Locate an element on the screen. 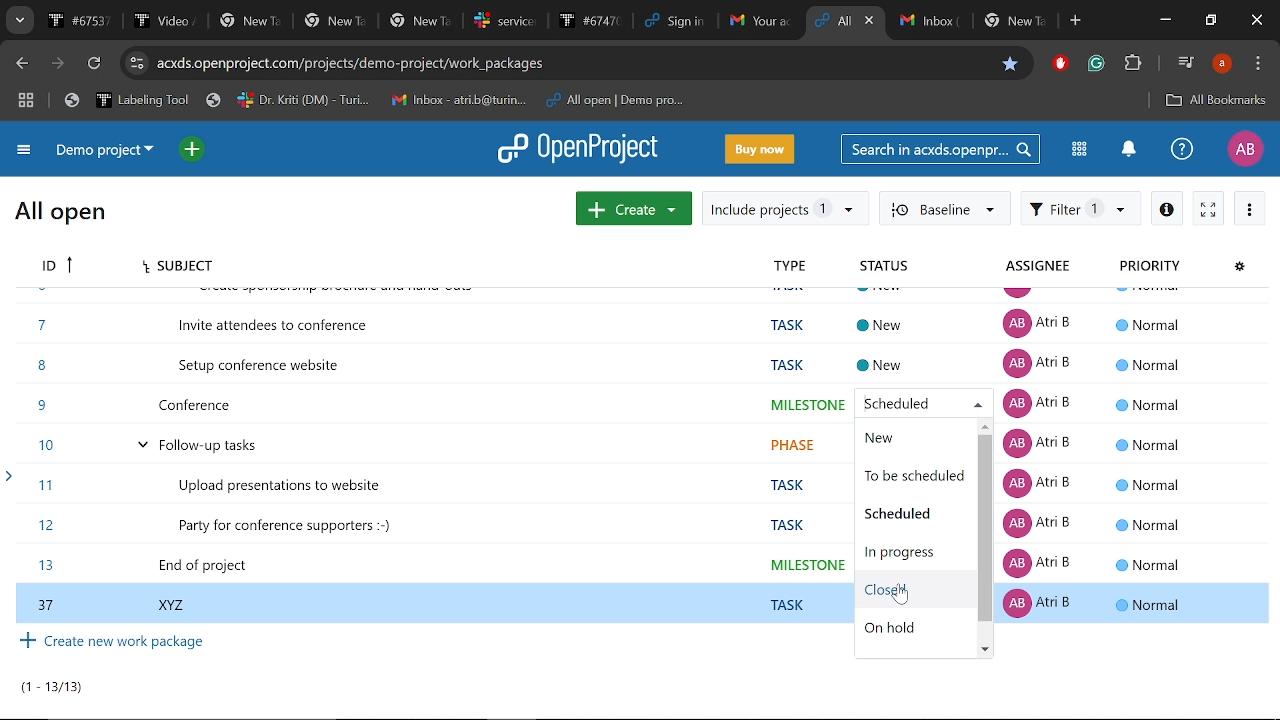  Create new work package is located at coordinates (113, 644).